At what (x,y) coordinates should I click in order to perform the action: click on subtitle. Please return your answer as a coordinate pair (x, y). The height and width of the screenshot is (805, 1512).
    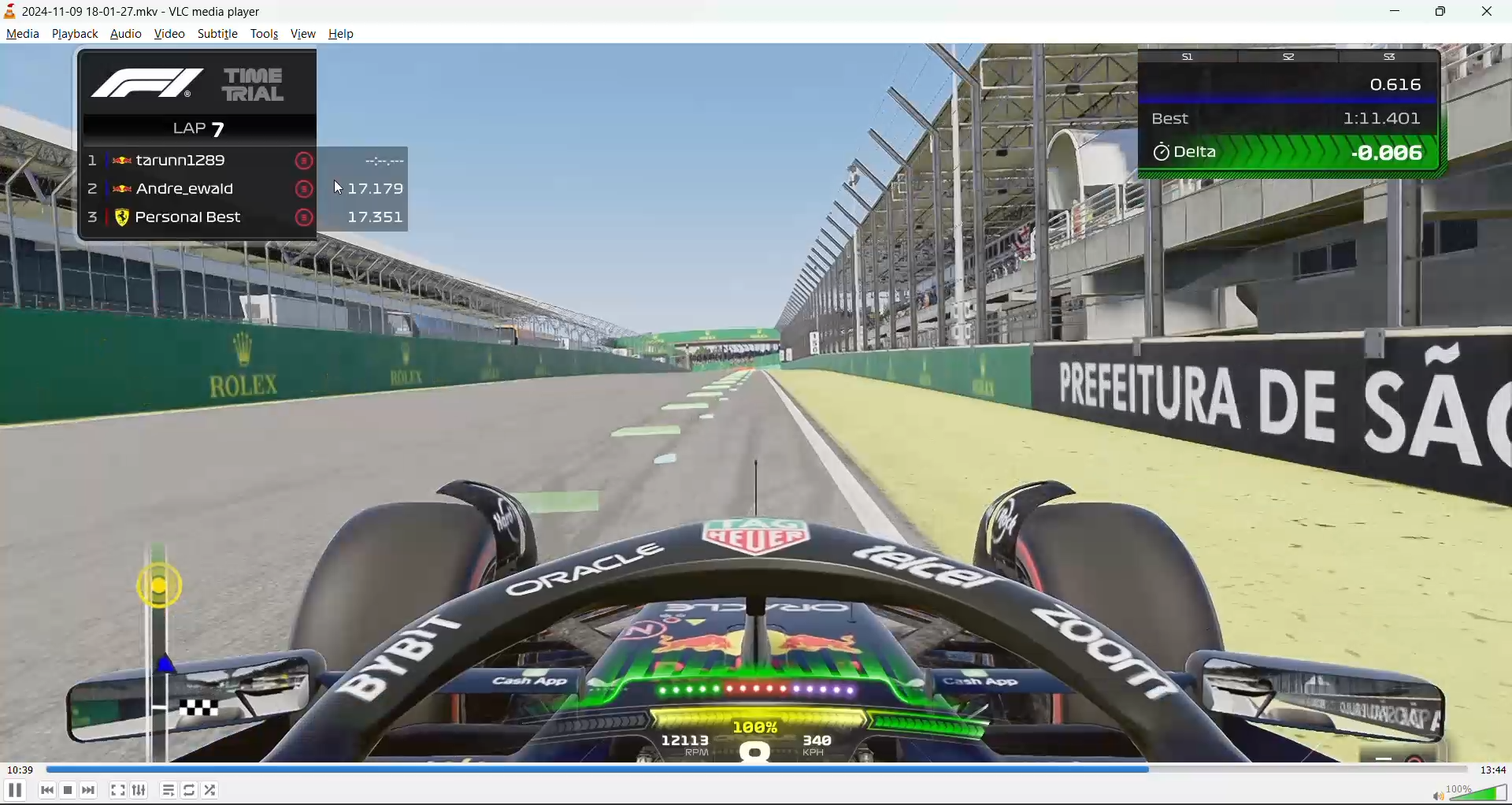
    Looking at the image, I should click on (218, 34).